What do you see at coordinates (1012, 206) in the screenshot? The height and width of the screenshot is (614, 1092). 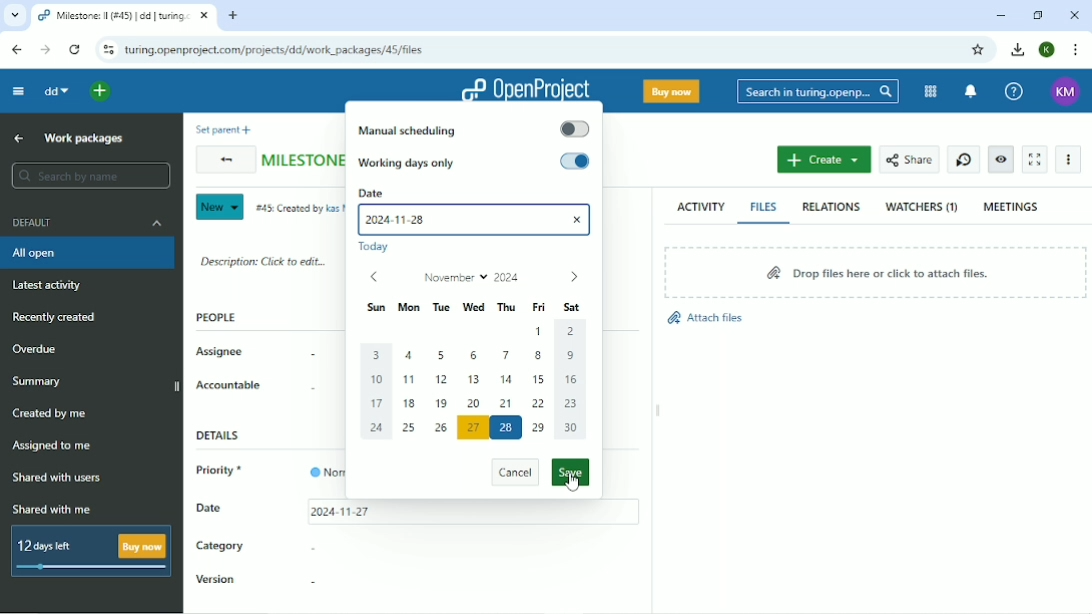 I see `Meetings` at bounding box center [1012, 206].